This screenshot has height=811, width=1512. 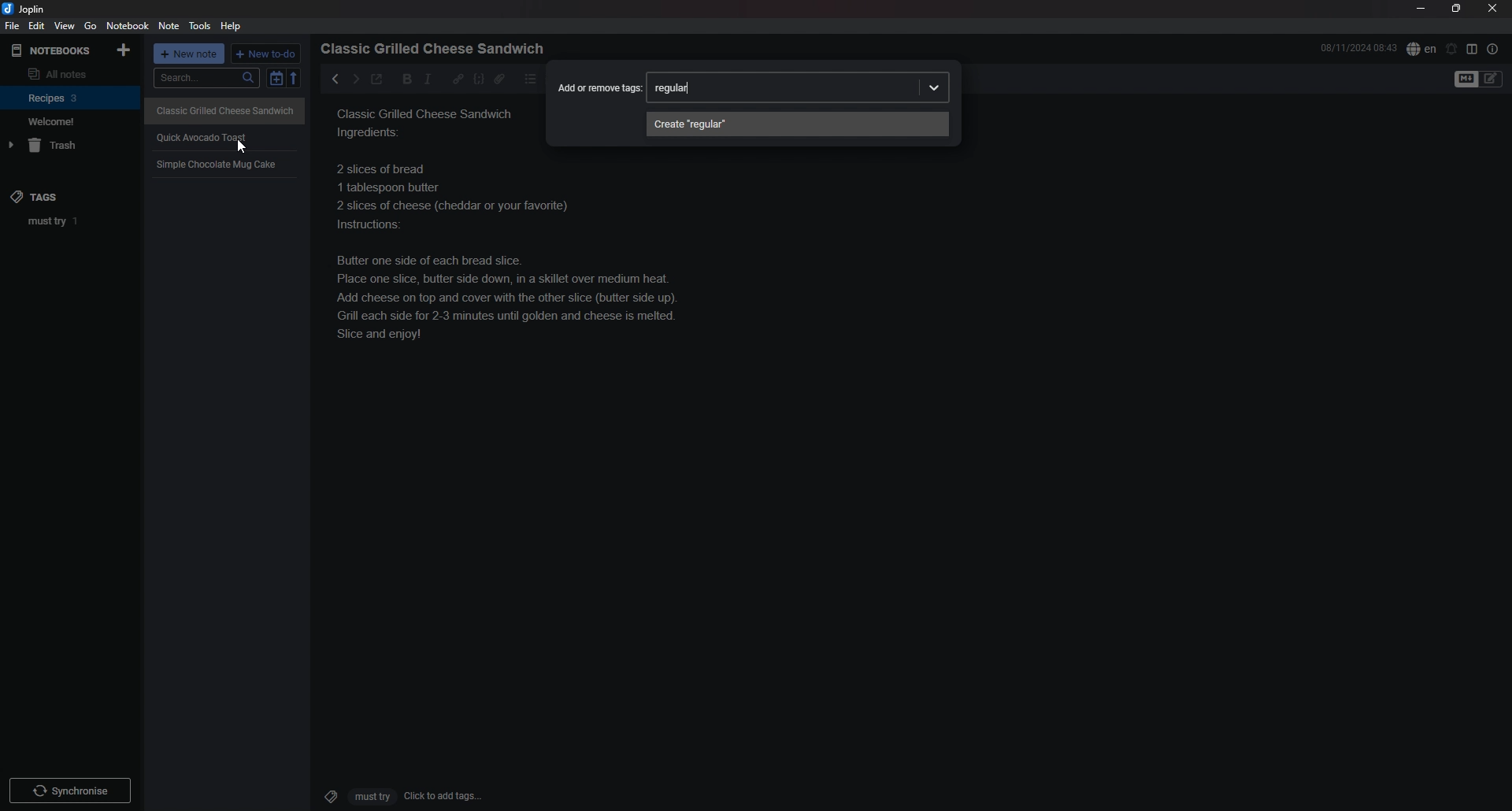 What do you see at coordinates (72, 146) in the screenshot?
I see `trash` at bounding box center [72, 146].